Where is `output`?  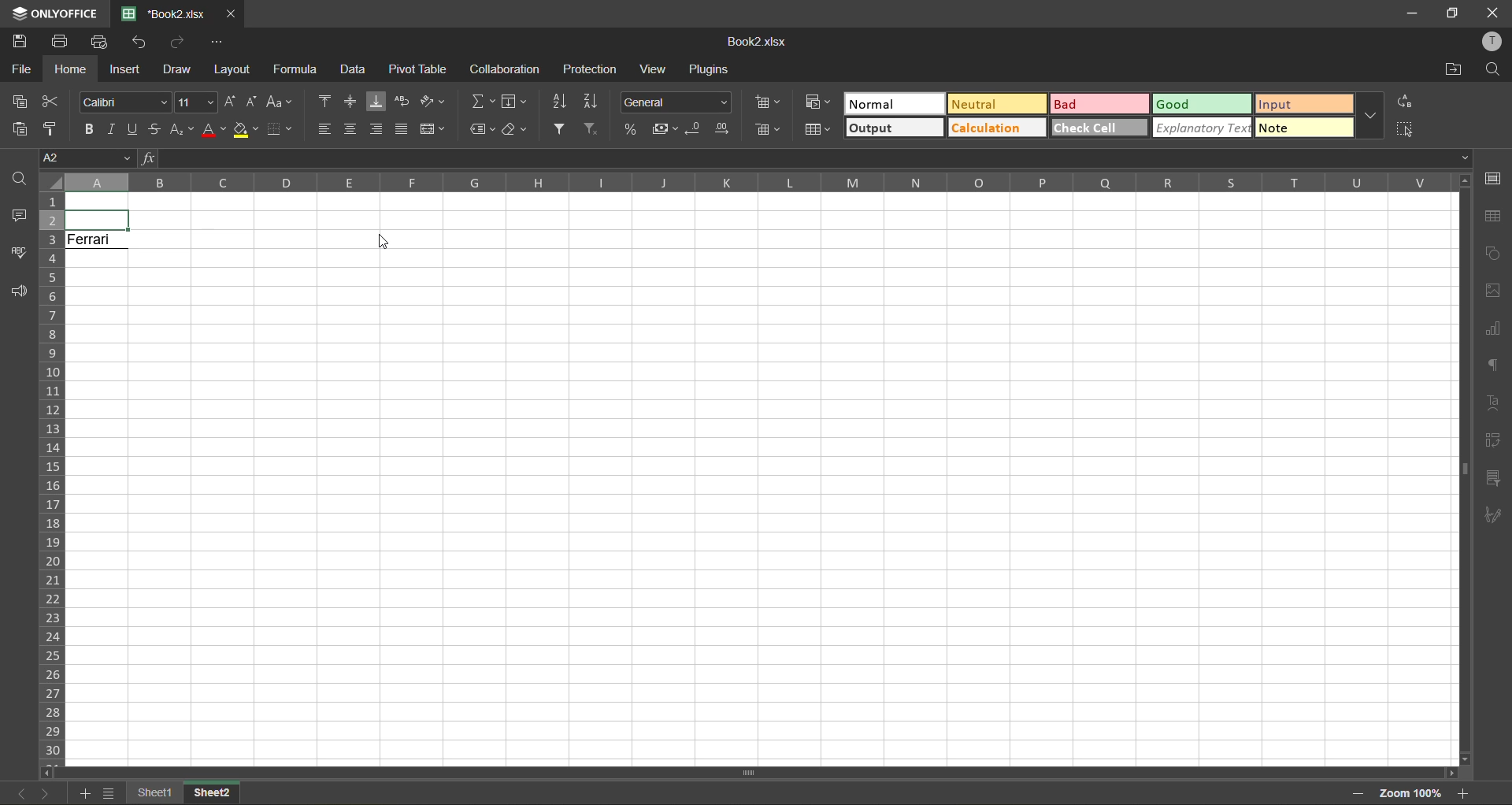 output is located at coordinates (892, 128).